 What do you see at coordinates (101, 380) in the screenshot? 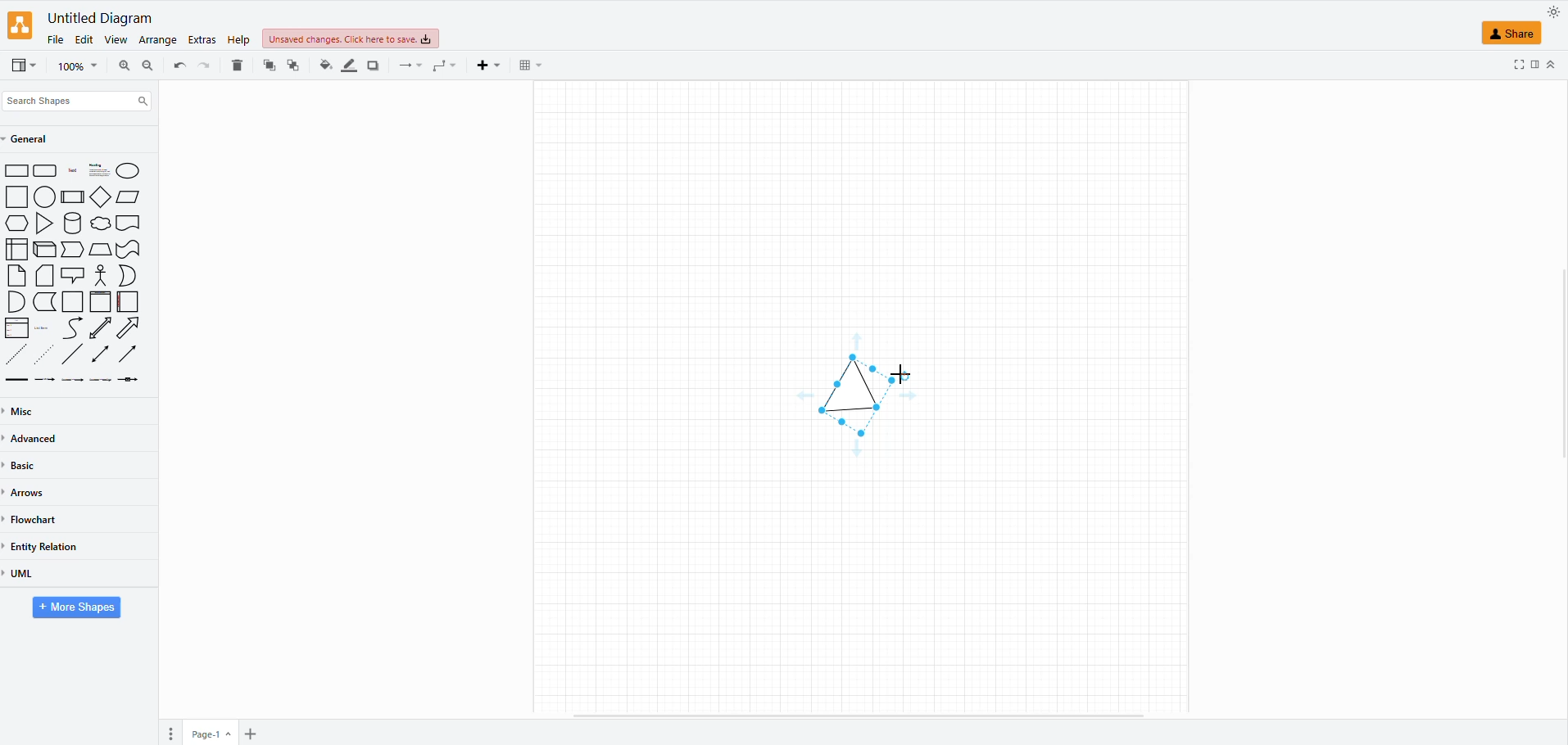
I see `Labelled Arrow` at bounding box center [101, 380].